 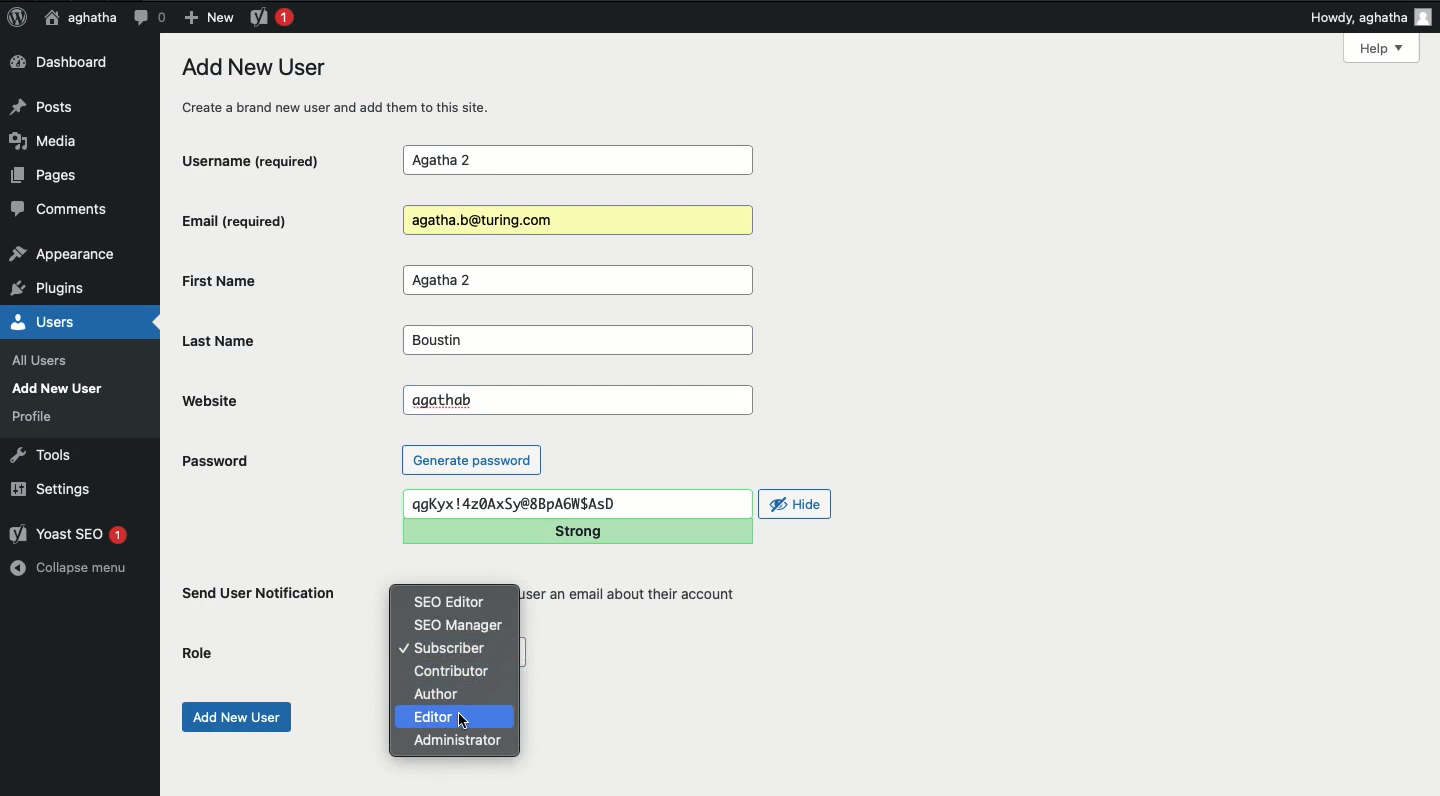 I want to click on Subscriber, so click(x=445, y=646).